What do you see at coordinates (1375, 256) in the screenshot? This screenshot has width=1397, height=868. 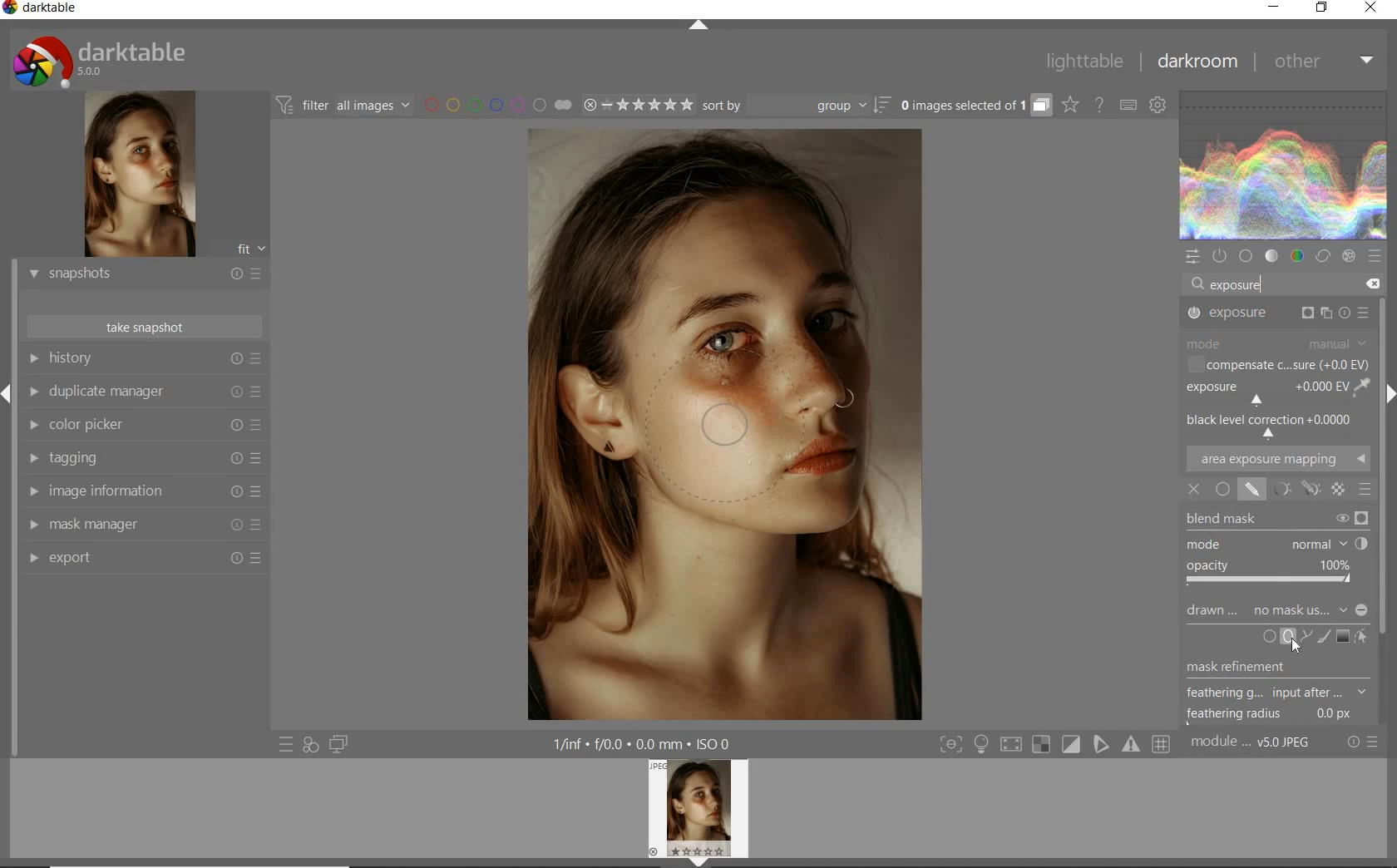 I see `presets` at bounding box center [1375, 256].